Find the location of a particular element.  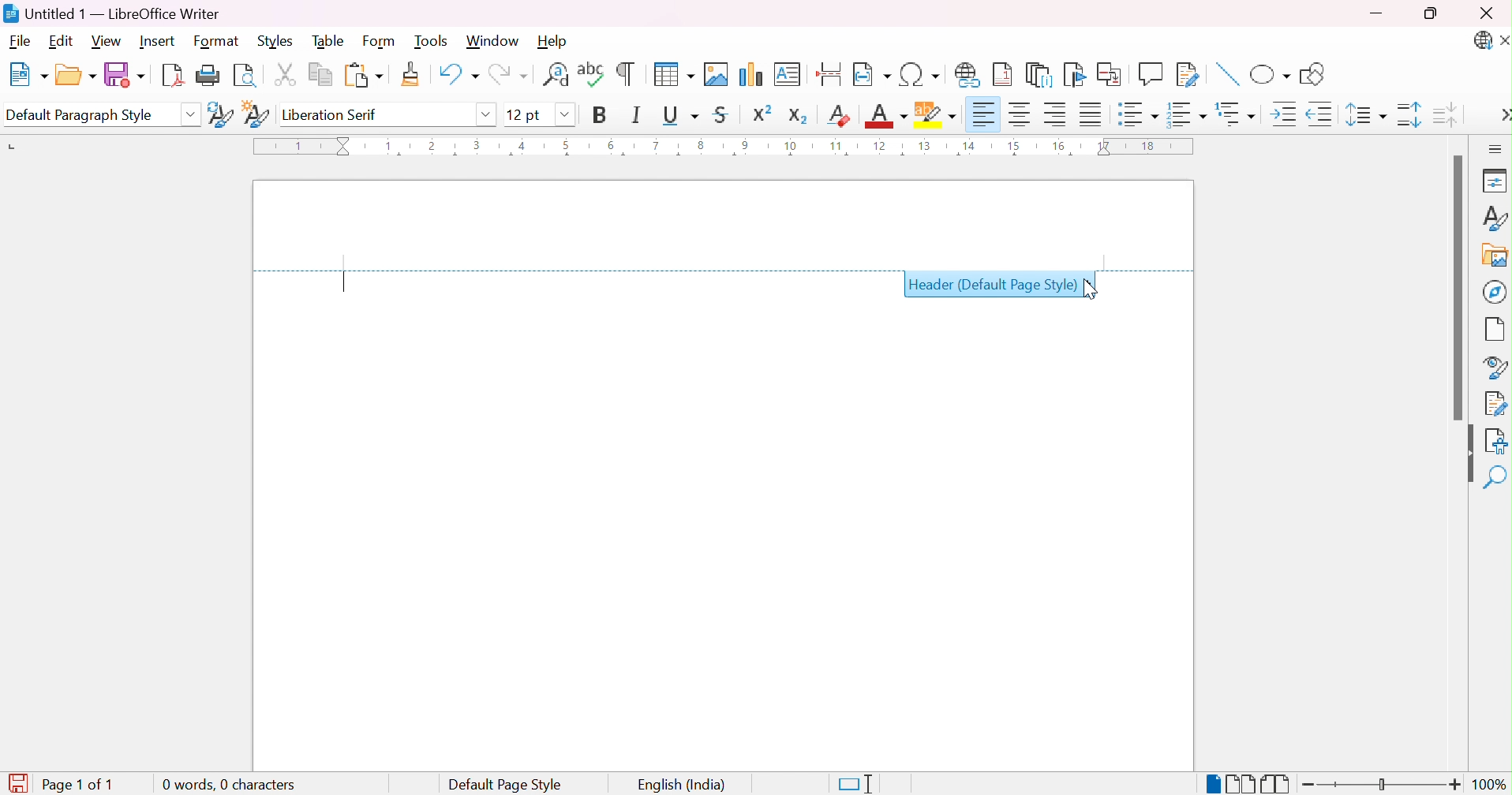

Clear direct formatting is located at coordinates (840, 116).